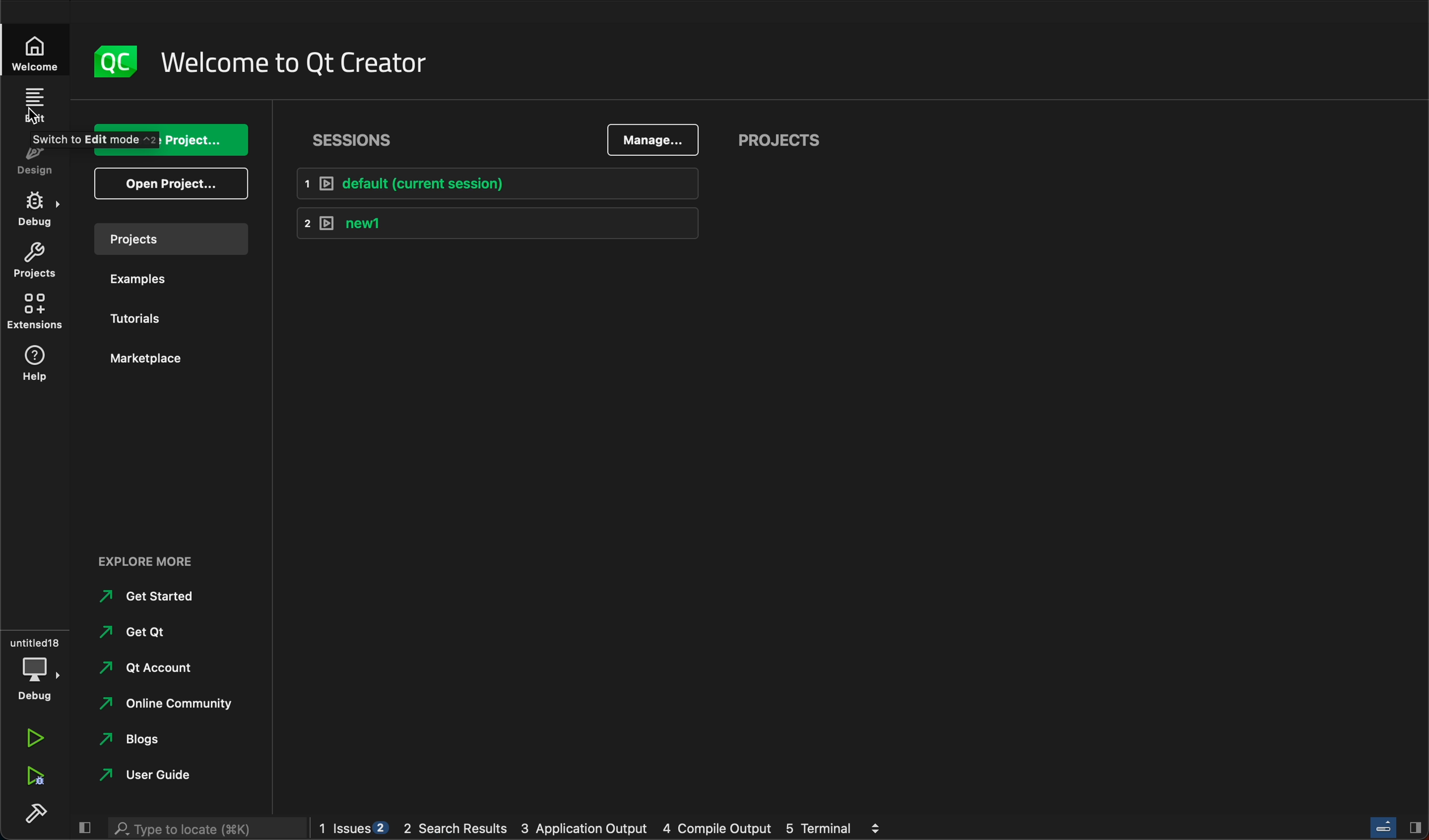 The height and width of the screenshot is (840, 1429). I want to click on explore more, so click(153, 555).